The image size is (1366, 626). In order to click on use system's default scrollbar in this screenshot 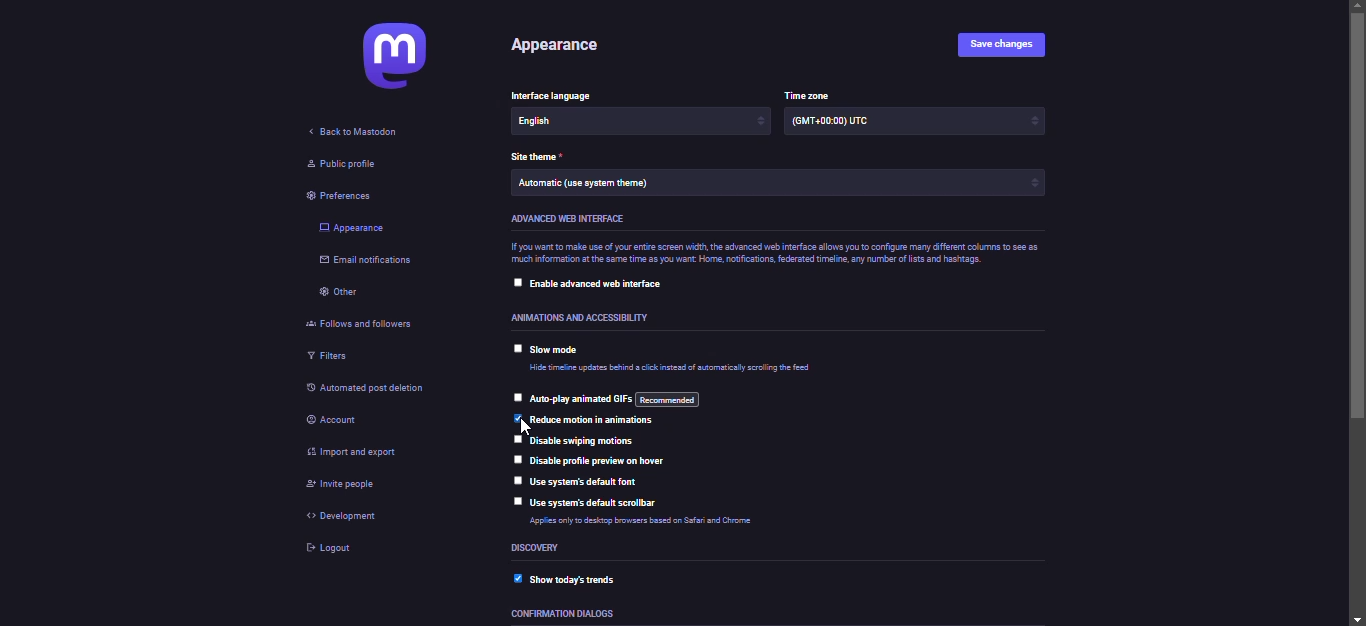, I will do `click(599, 504)`.